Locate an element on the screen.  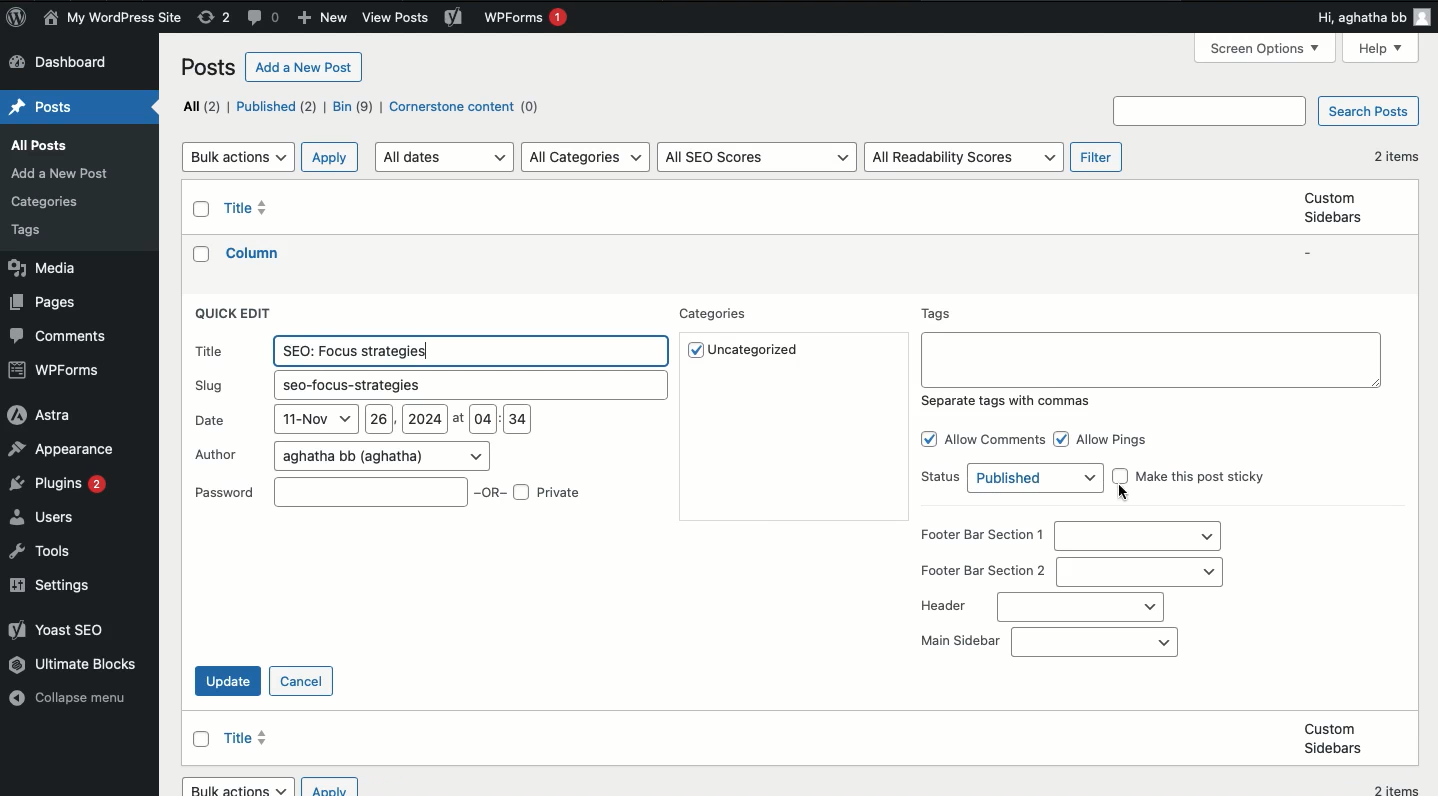
Bulk actions is located at coordinates (238, 157).